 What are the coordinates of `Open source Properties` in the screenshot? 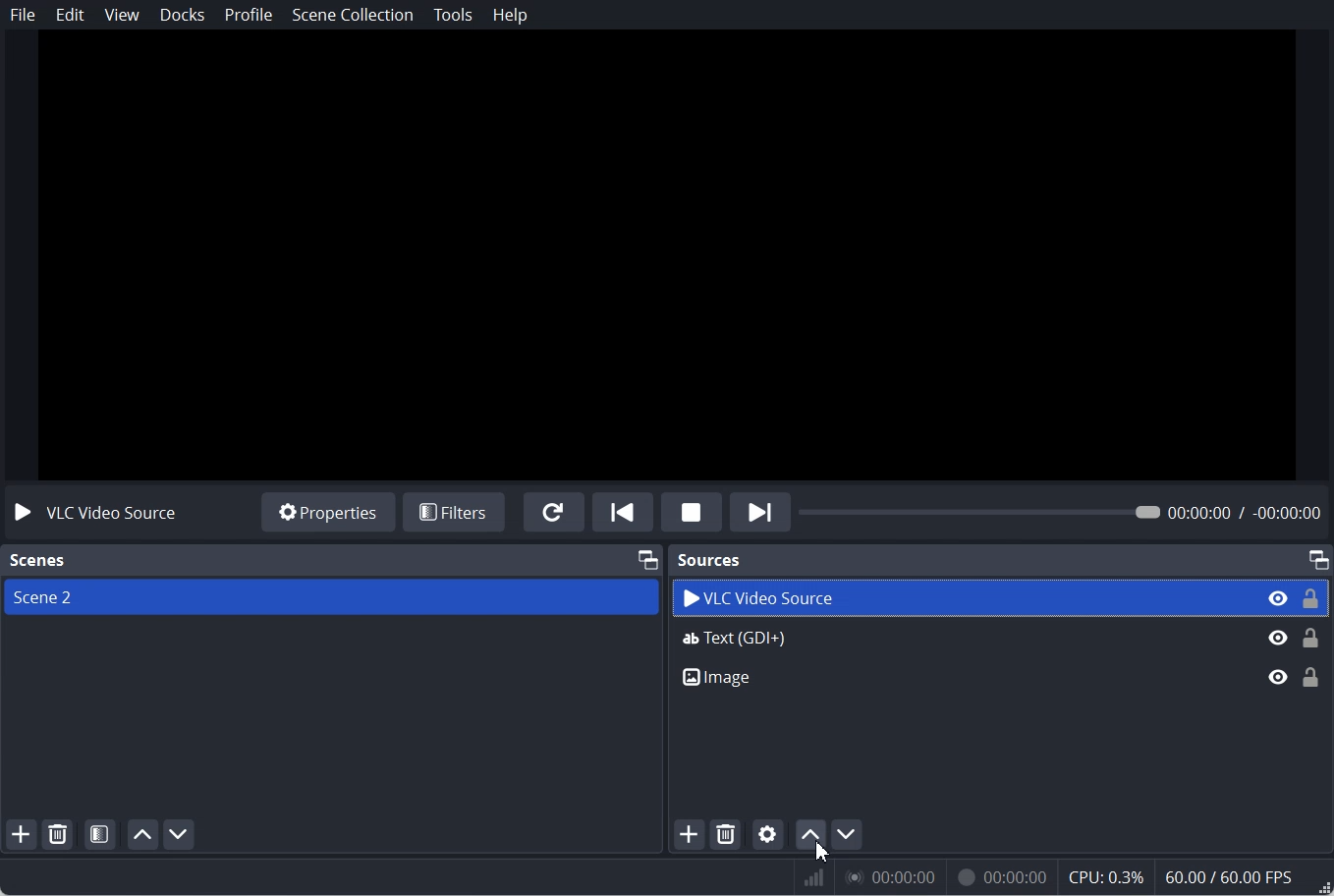 It's located at (769, 832).